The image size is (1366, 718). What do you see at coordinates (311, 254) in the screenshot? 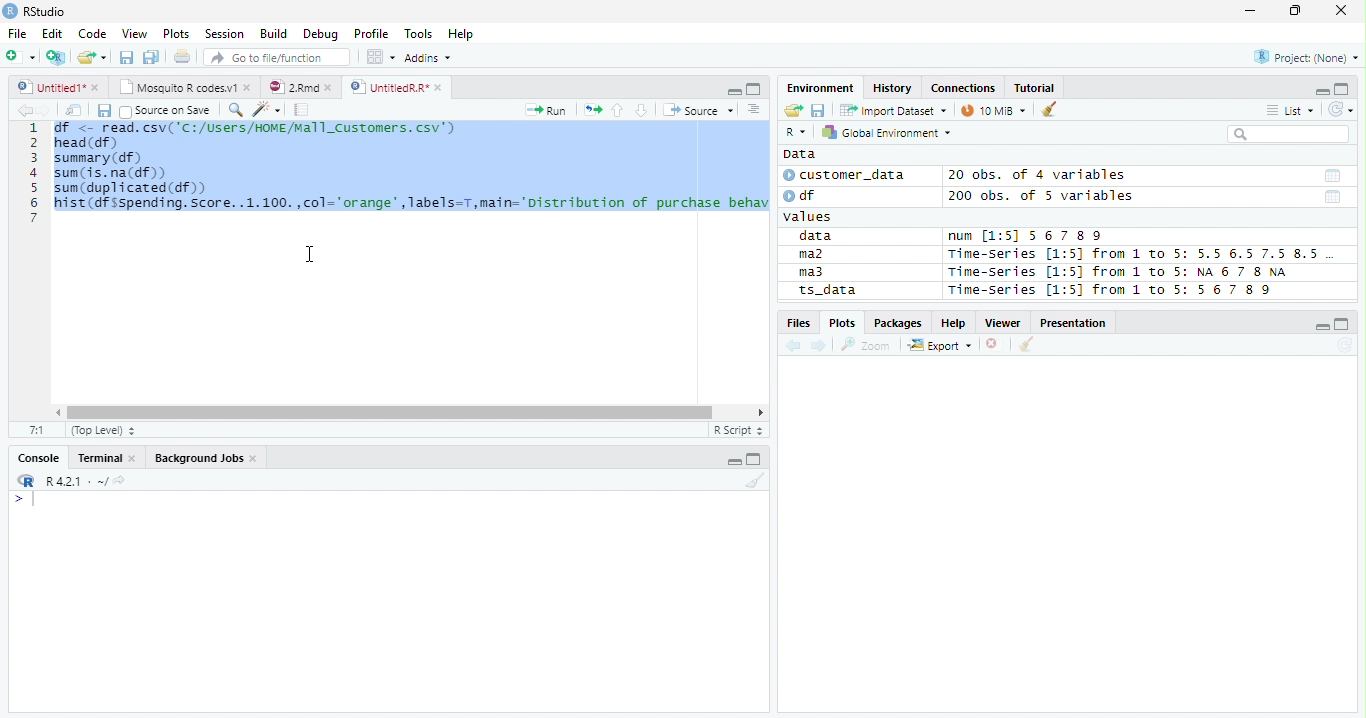
I see `Cursor` at bounding box center [311, 254].